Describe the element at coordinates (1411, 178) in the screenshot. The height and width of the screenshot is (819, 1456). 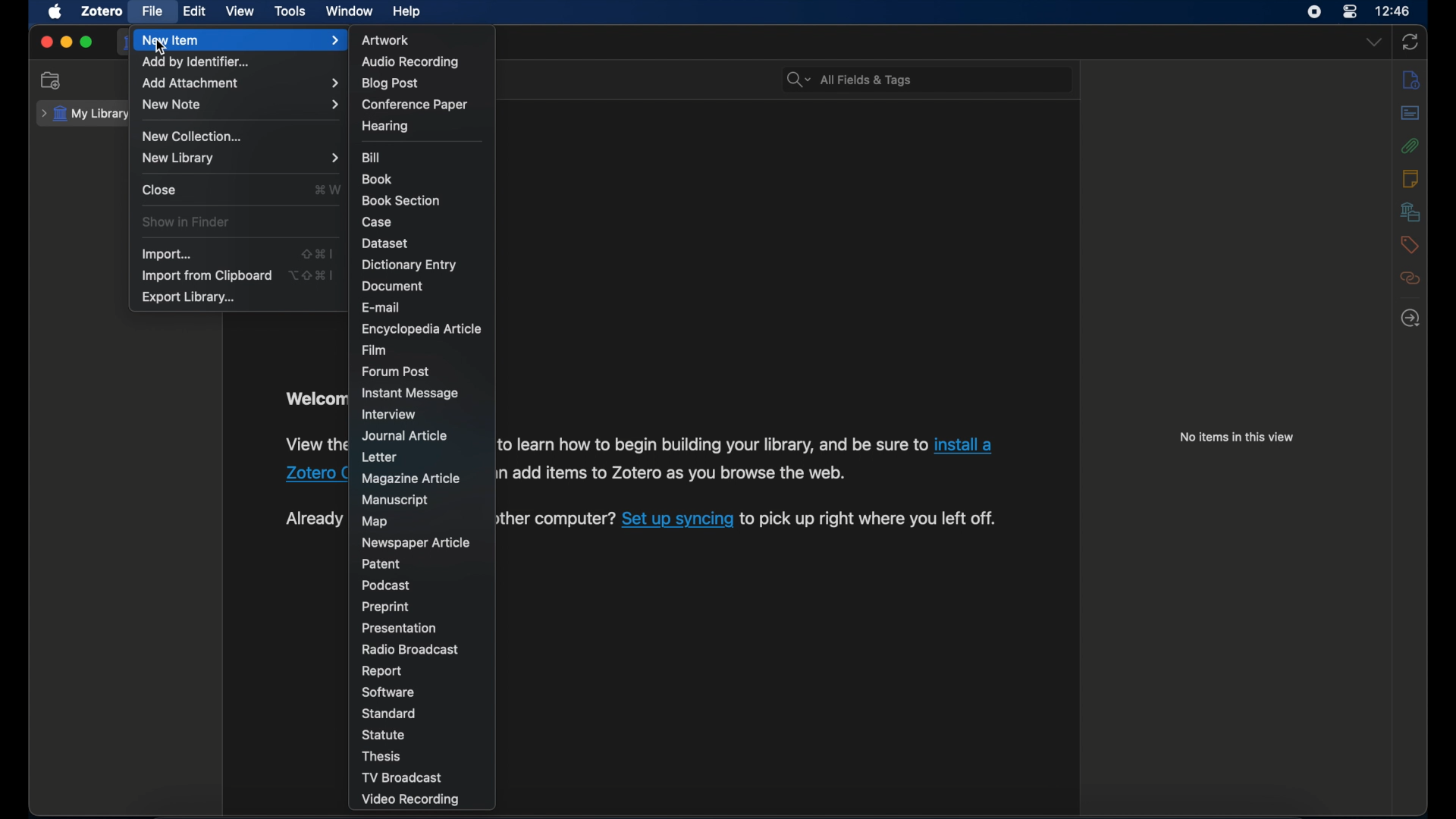
I see `notes` at that location.